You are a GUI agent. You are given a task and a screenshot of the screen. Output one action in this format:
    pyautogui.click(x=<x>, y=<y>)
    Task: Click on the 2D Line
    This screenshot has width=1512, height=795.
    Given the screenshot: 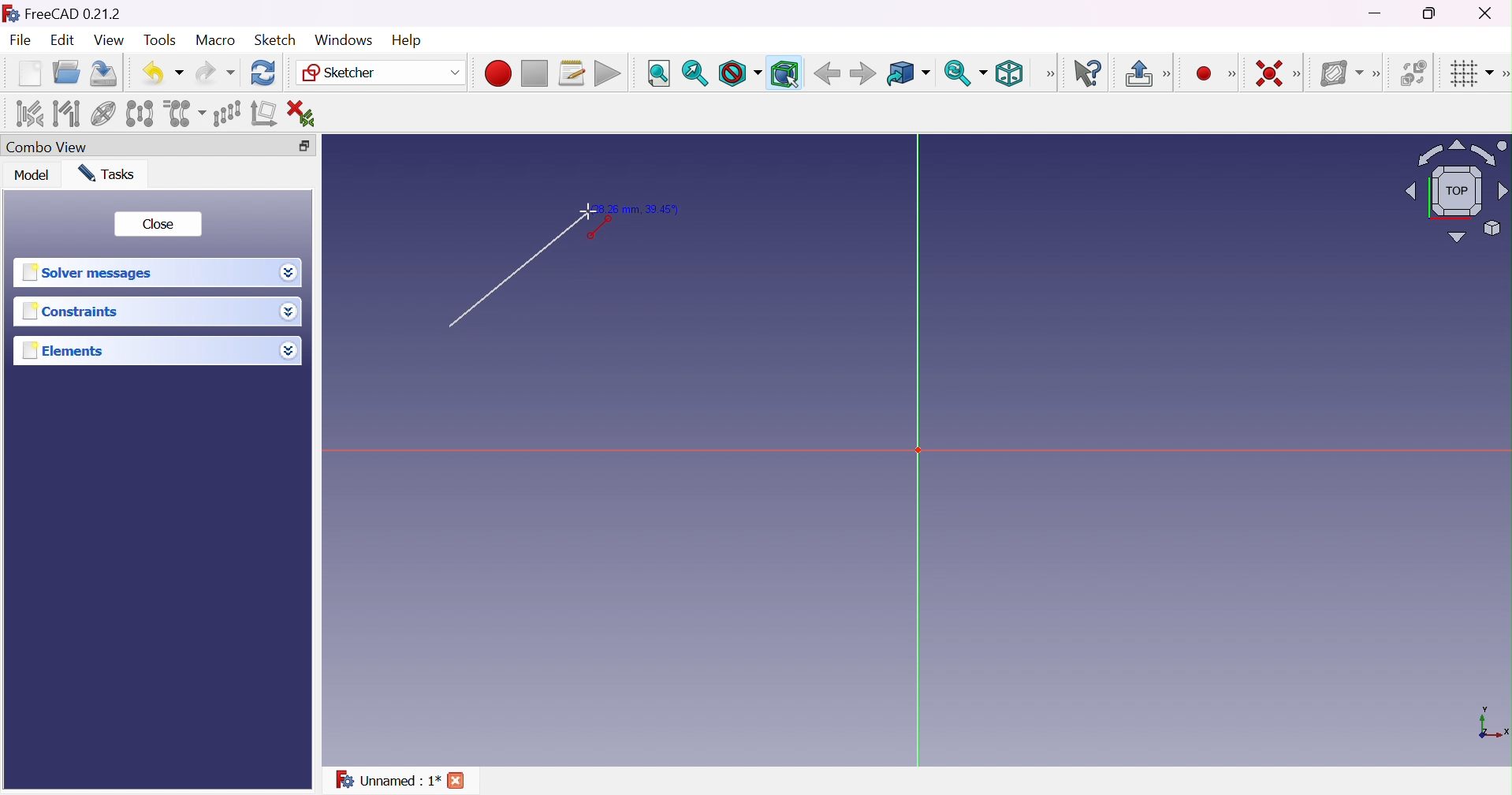 What is the action you would take?
    pyautogui.click(x=502, y=280)
    